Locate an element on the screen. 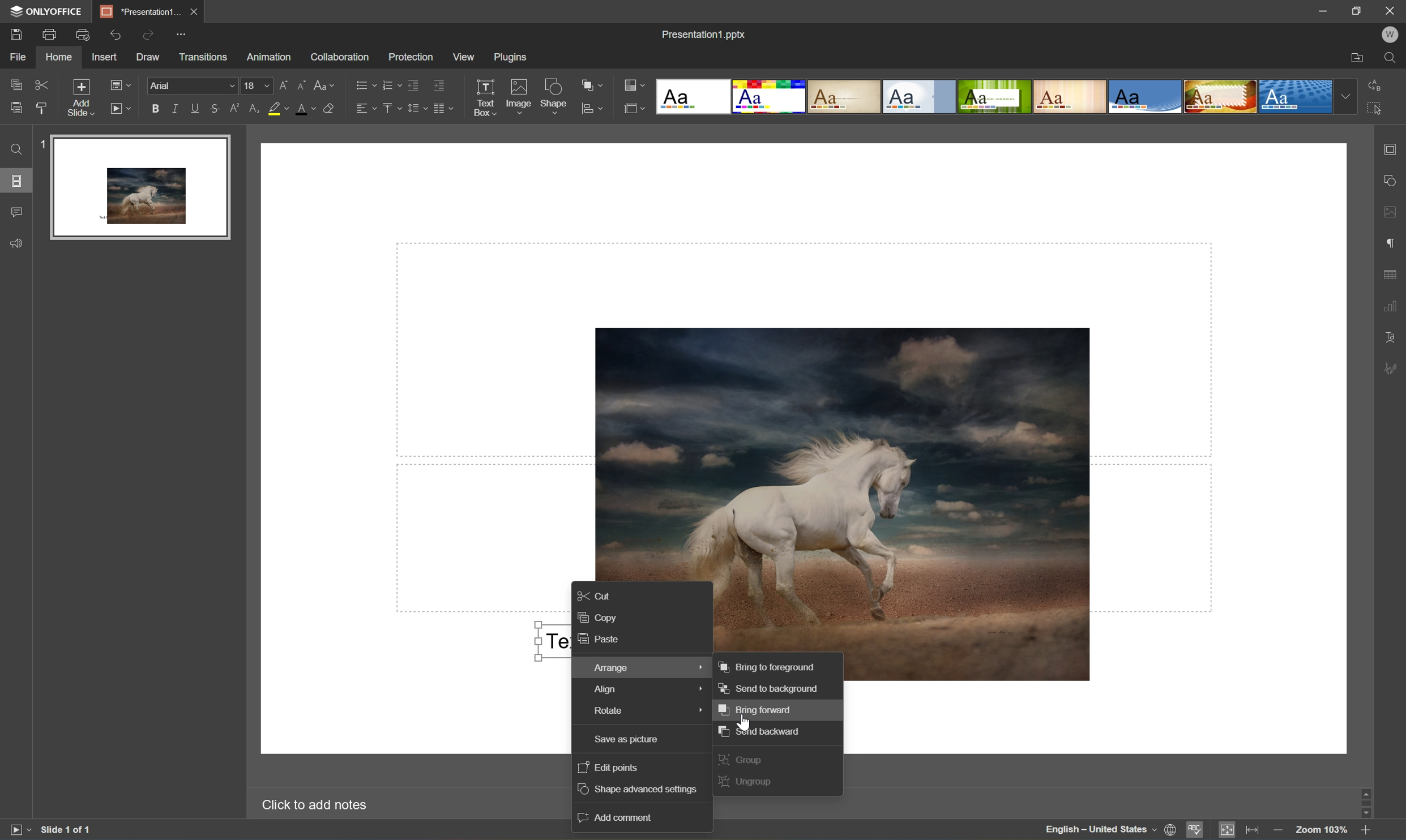 Image resolution: width=1406 pixels, height=840 pixels. Select slide size is located at coordinates (635, 109).